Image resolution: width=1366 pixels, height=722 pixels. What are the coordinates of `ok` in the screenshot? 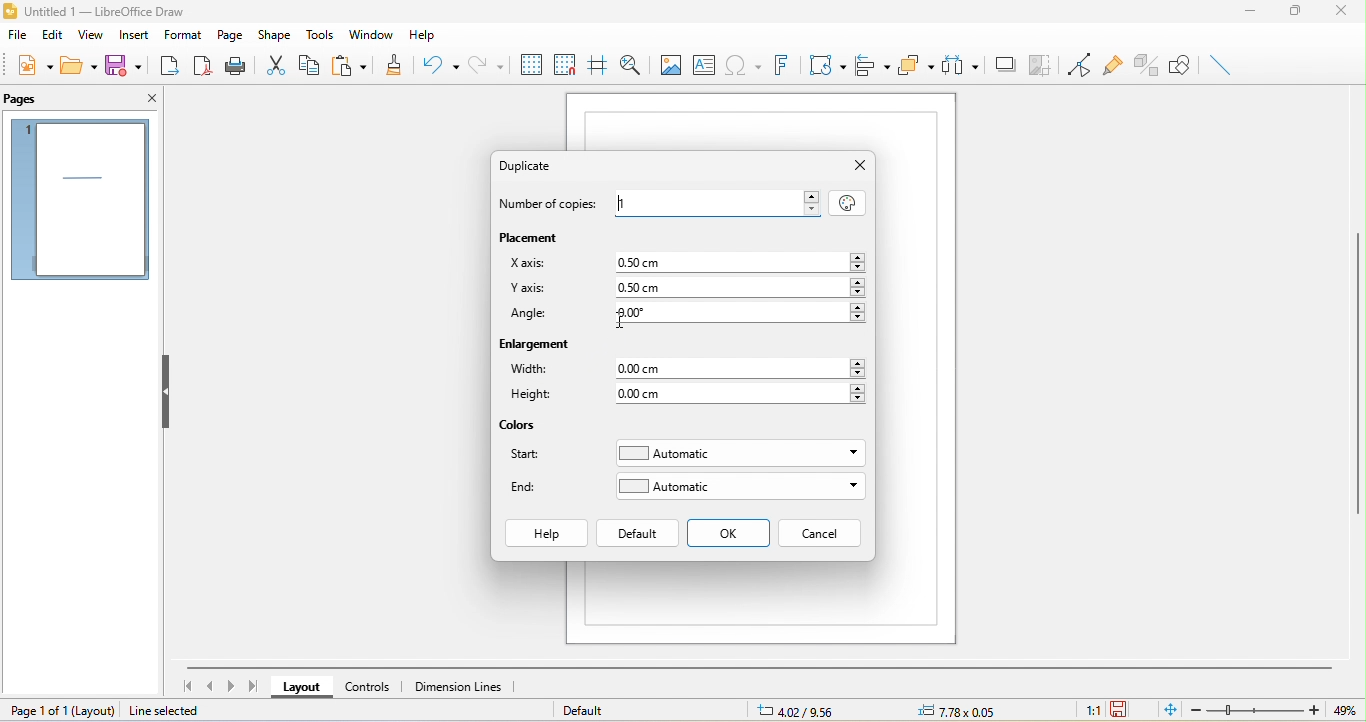 It's located at (730, 534).